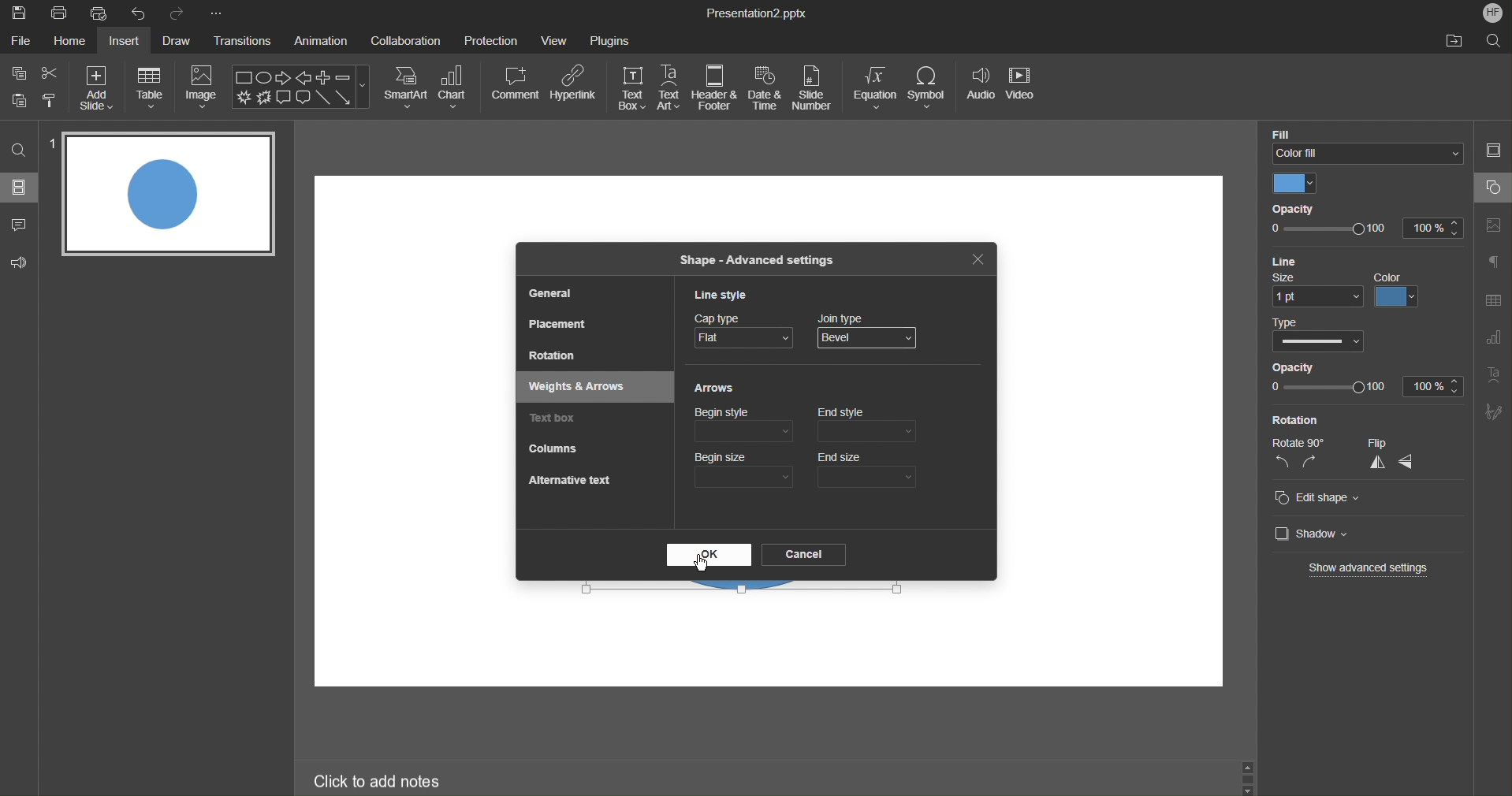 The height and width of the screenshot is (796, 1512). I want to click on workspace, so click(410, 431).